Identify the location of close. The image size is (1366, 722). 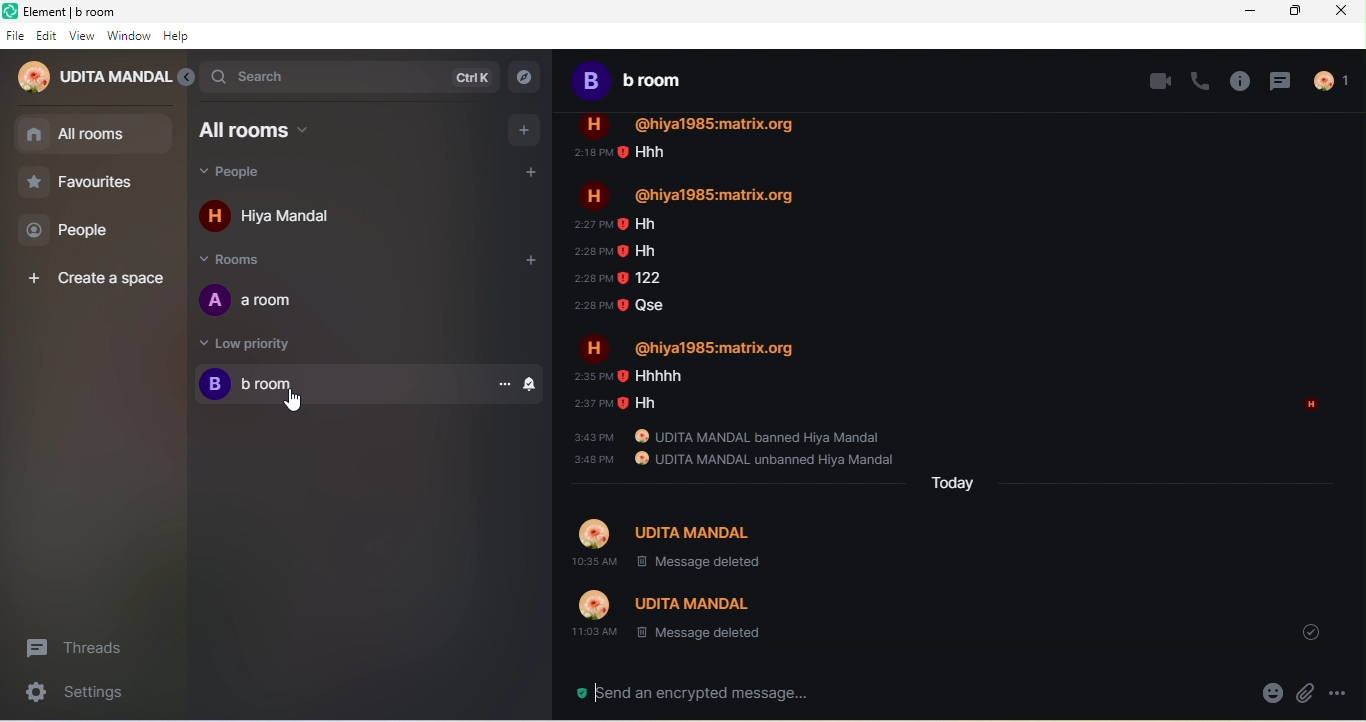
(1345, 13).